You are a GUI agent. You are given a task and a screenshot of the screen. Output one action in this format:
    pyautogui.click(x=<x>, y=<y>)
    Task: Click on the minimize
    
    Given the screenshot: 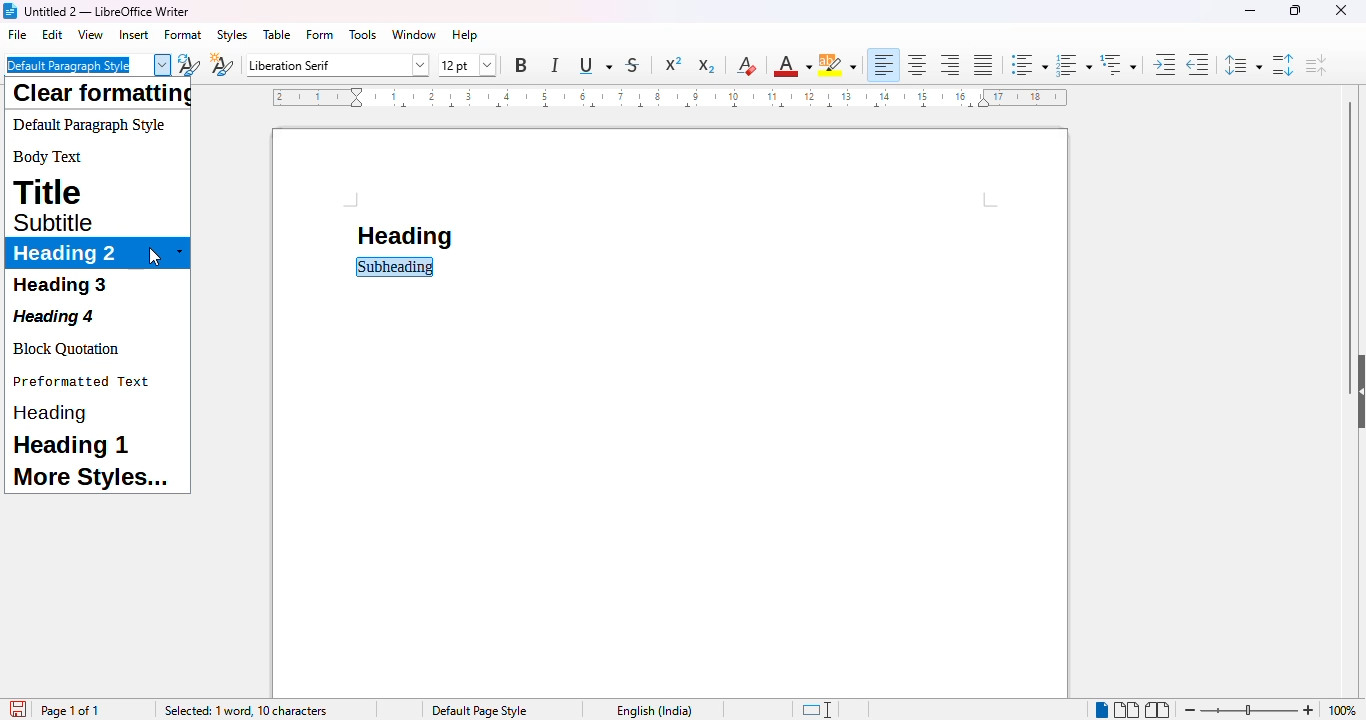 What is the action you would take?
    pyautogui.click(x=1250, y=11)
    